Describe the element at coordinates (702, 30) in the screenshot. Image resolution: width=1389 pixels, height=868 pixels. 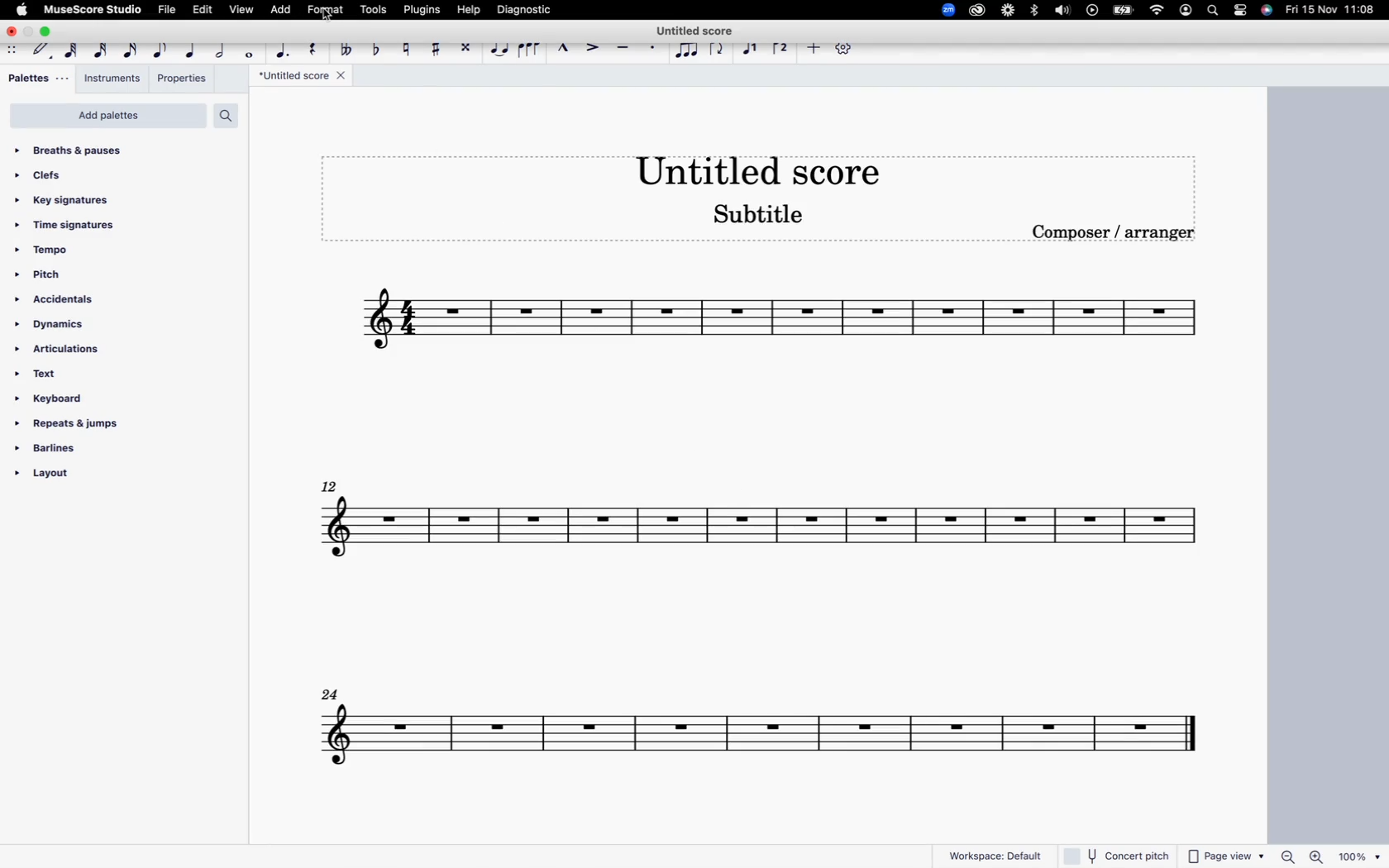
I see `score title` at that location.